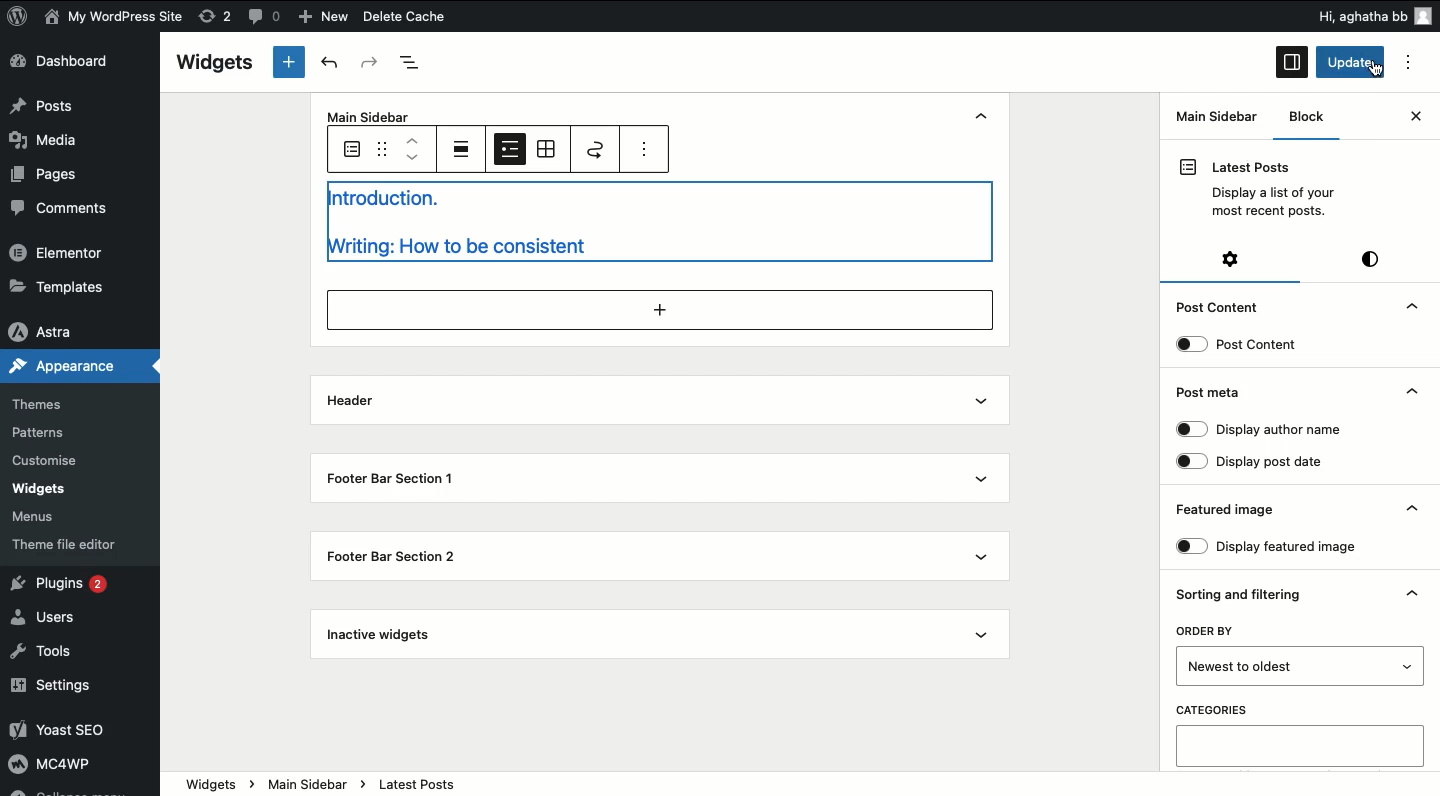 Image resolution: width=1440 pixels, height=796 pixels. I want to click on Post content, so click(1232, 344).